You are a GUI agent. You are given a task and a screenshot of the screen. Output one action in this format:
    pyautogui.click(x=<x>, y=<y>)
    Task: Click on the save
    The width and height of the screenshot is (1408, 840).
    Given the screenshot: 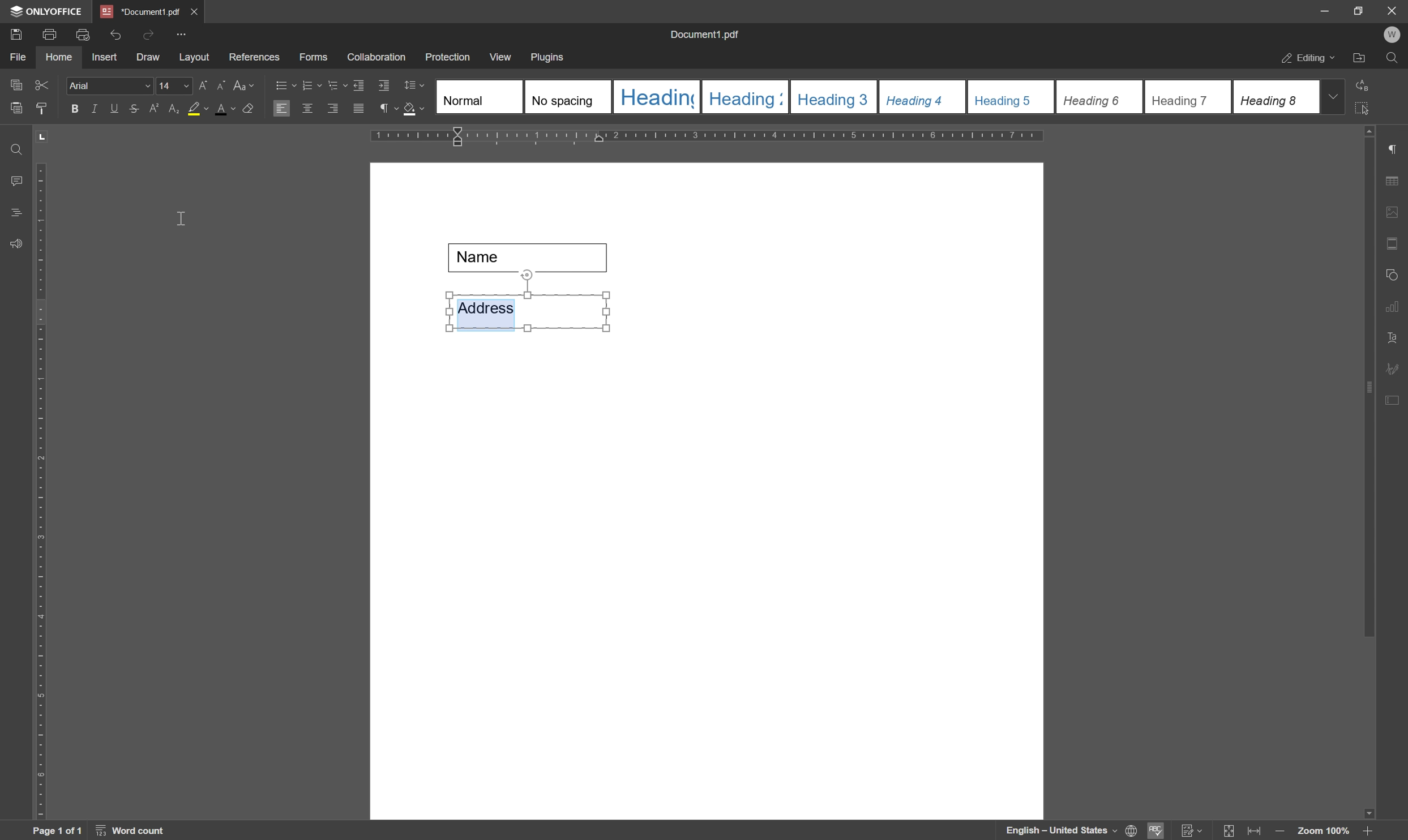 What is the action you would take?
    pyautogui.click(x=15, y=33)
    